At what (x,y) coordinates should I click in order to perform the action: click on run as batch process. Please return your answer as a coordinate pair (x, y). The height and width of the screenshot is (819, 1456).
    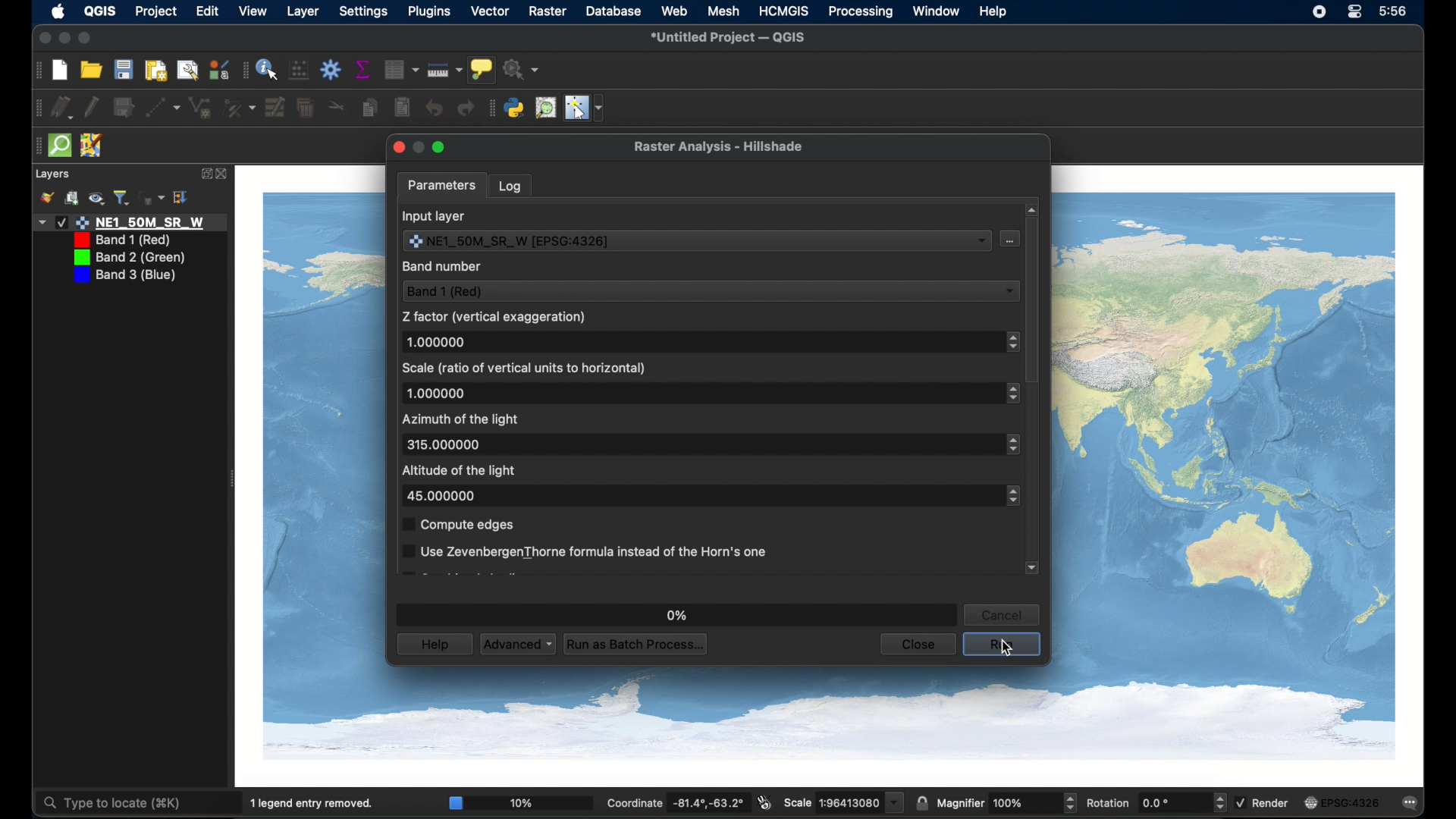
    Looking at the image, I should click on (636, 645).